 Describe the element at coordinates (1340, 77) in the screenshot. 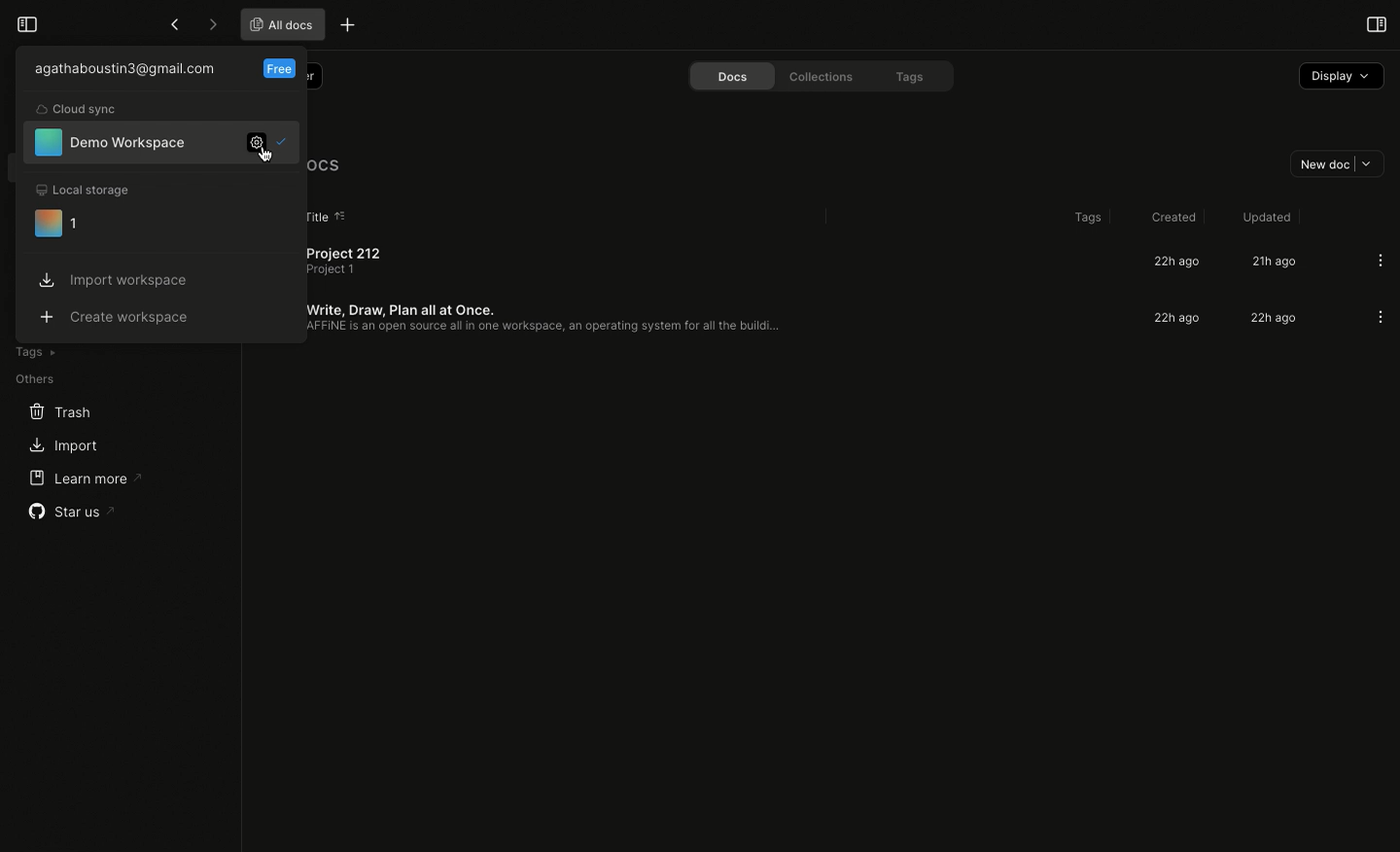

I see `Display` at that location.